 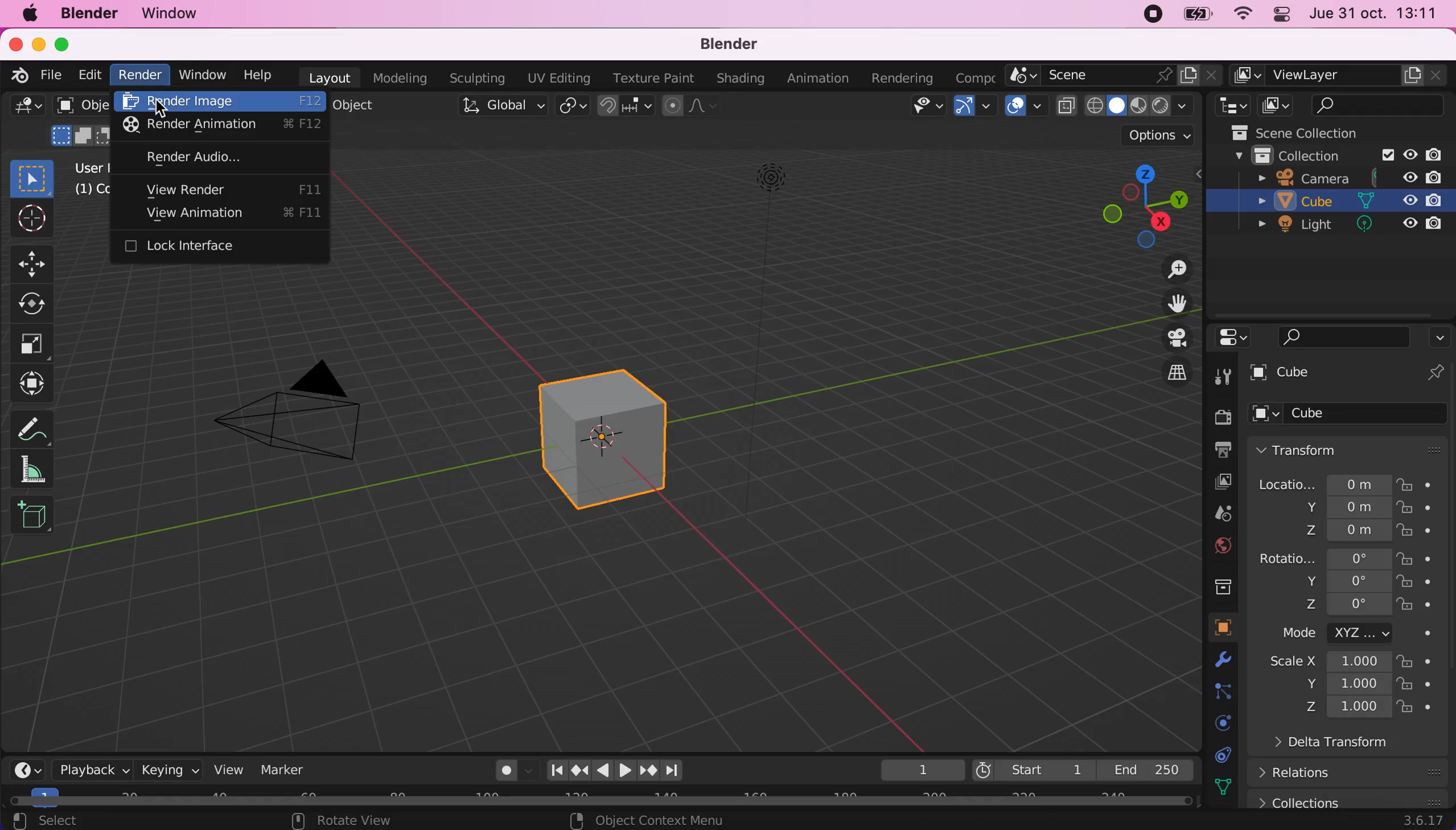 What do you see at coordinates (1322, 746) in the screenshot?
I see `delta transform` at bounding box center [1322, 746].